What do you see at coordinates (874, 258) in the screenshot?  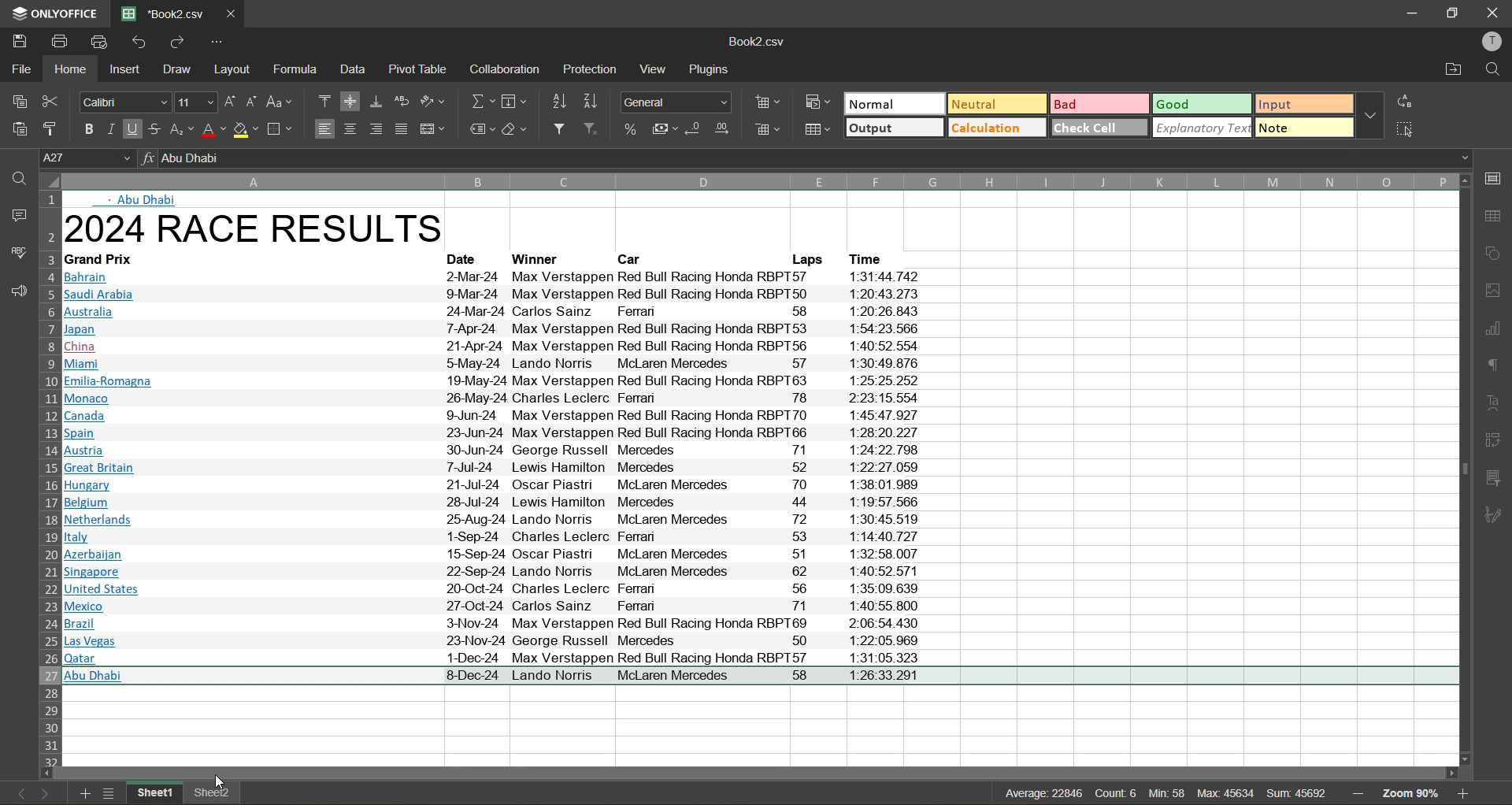 I see `text info` at bounding box center [874, 258].